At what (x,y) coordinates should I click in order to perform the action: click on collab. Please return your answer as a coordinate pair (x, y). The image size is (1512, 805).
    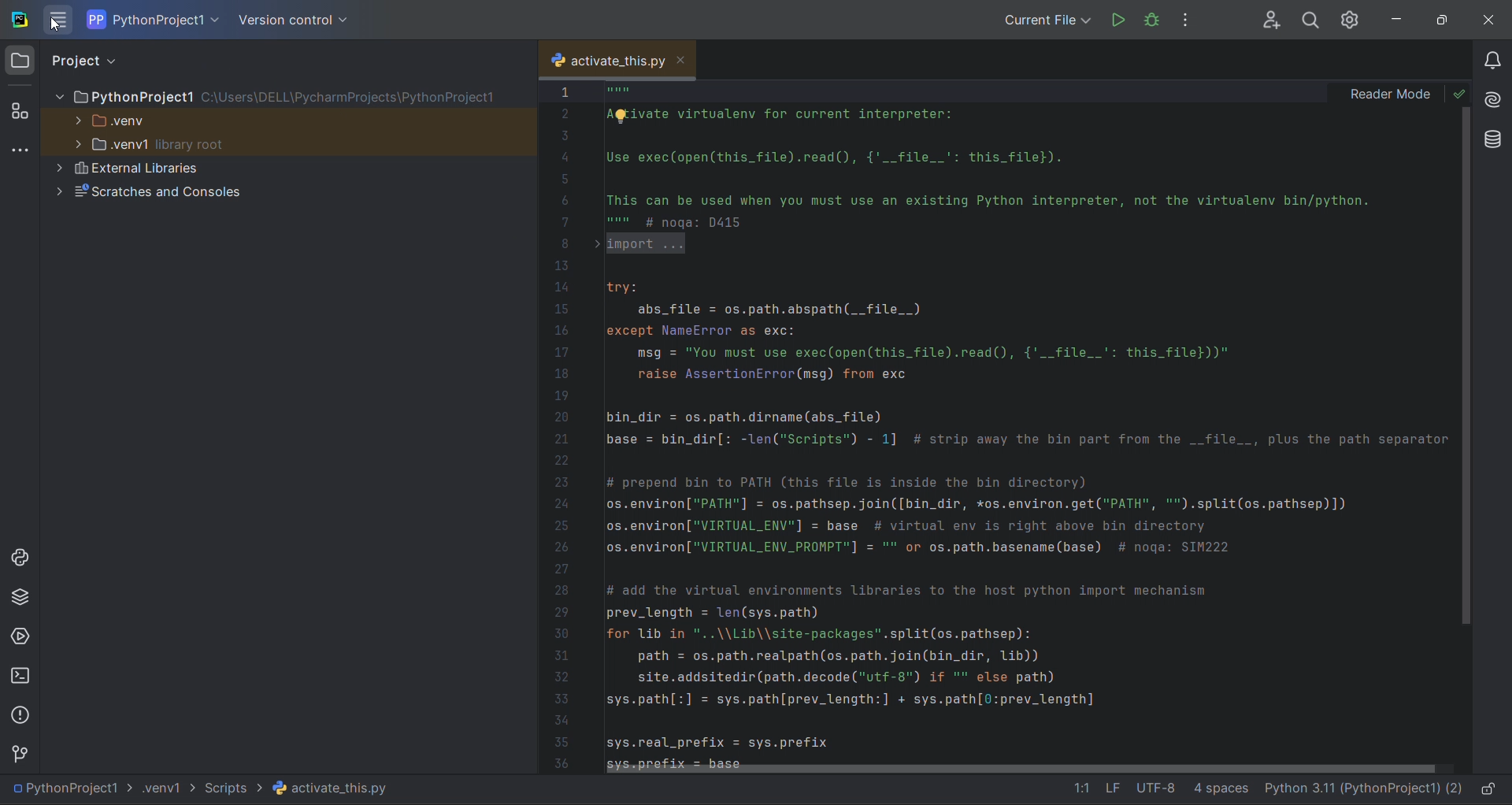
    Looking at the image, I should click on (1266, 18).